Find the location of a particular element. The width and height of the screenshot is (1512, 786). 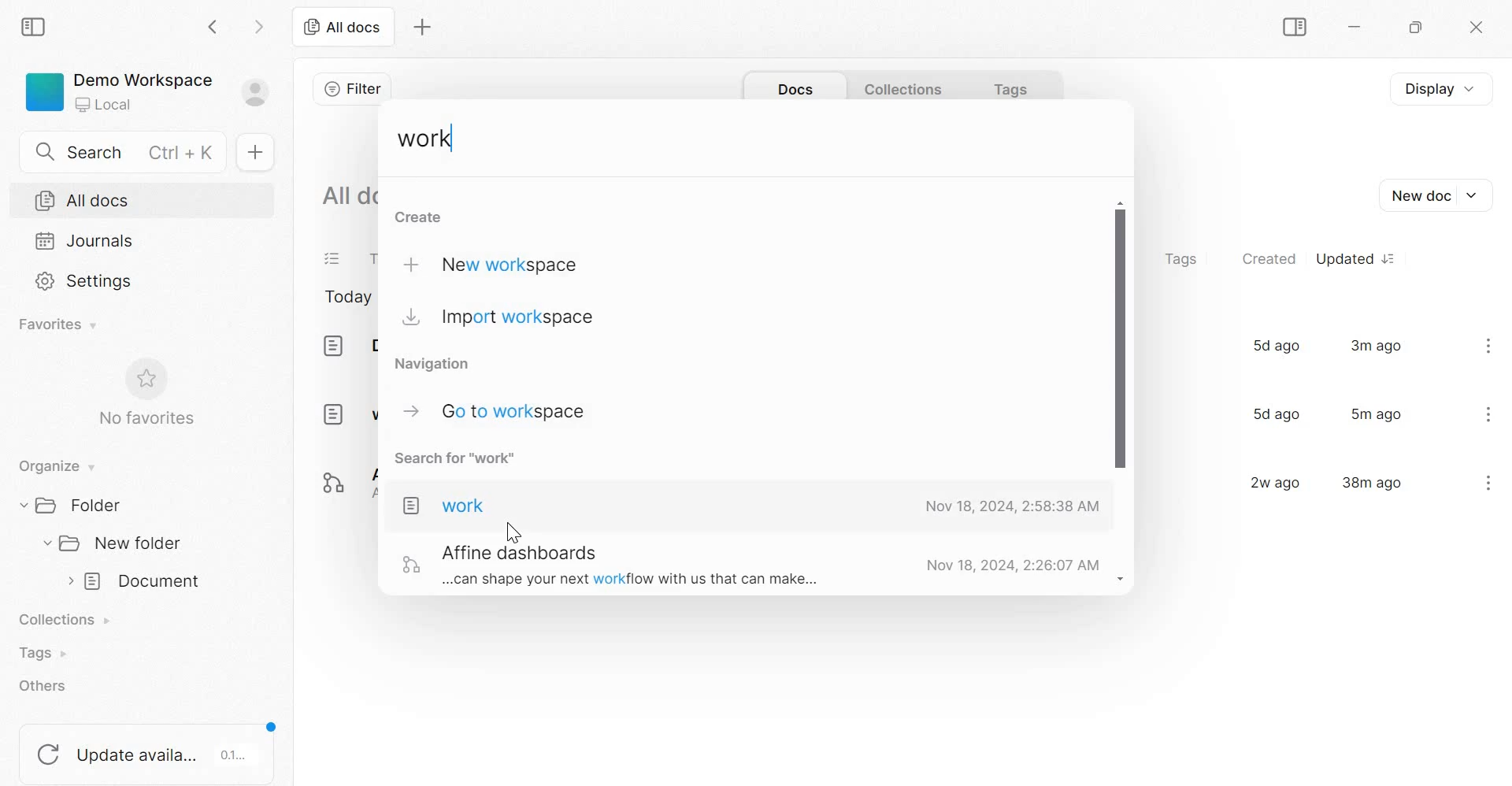

collections is located at coordinates (902, 84).